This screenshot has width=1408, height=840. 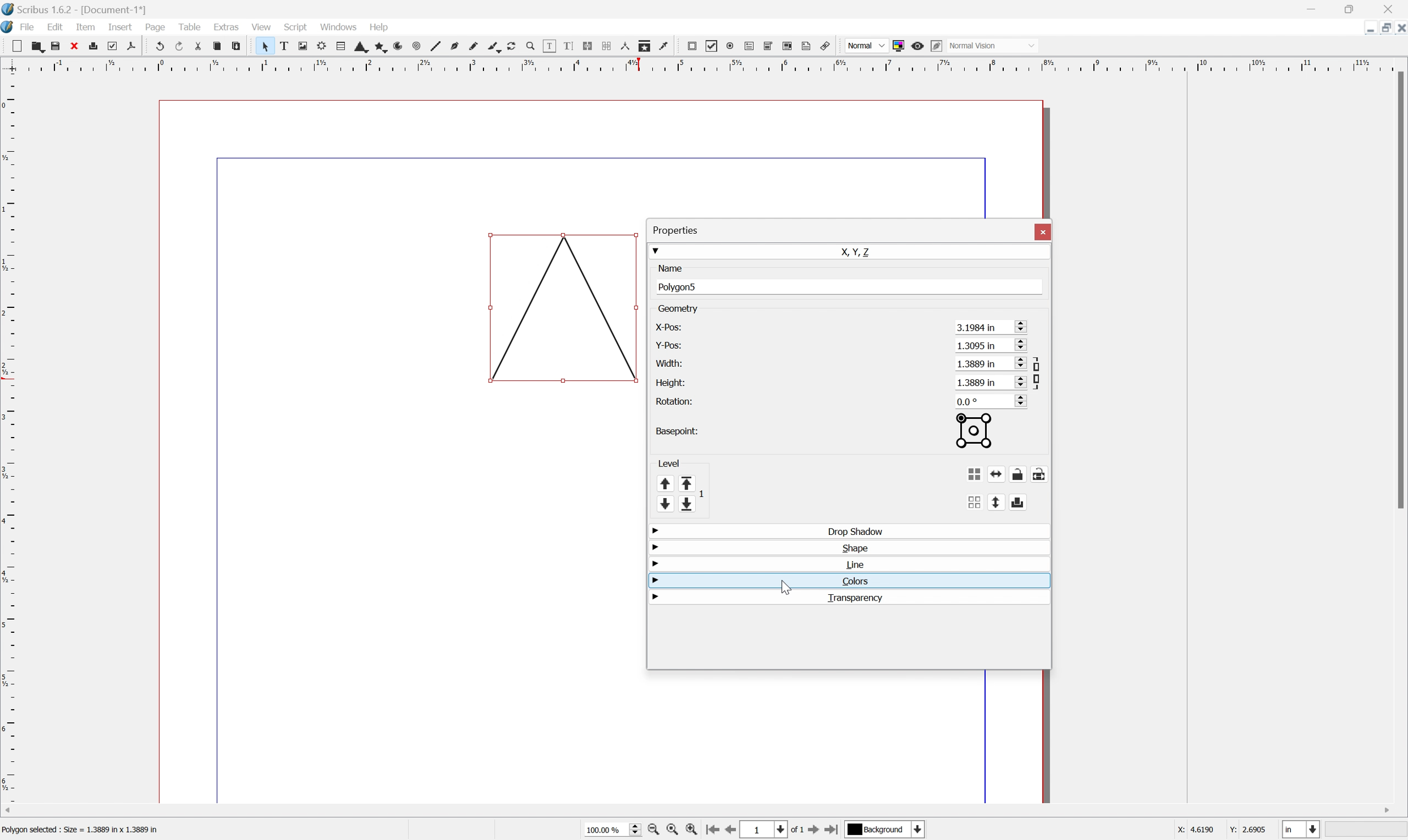 I want to click on Polygon, so click(x=376, y=47).